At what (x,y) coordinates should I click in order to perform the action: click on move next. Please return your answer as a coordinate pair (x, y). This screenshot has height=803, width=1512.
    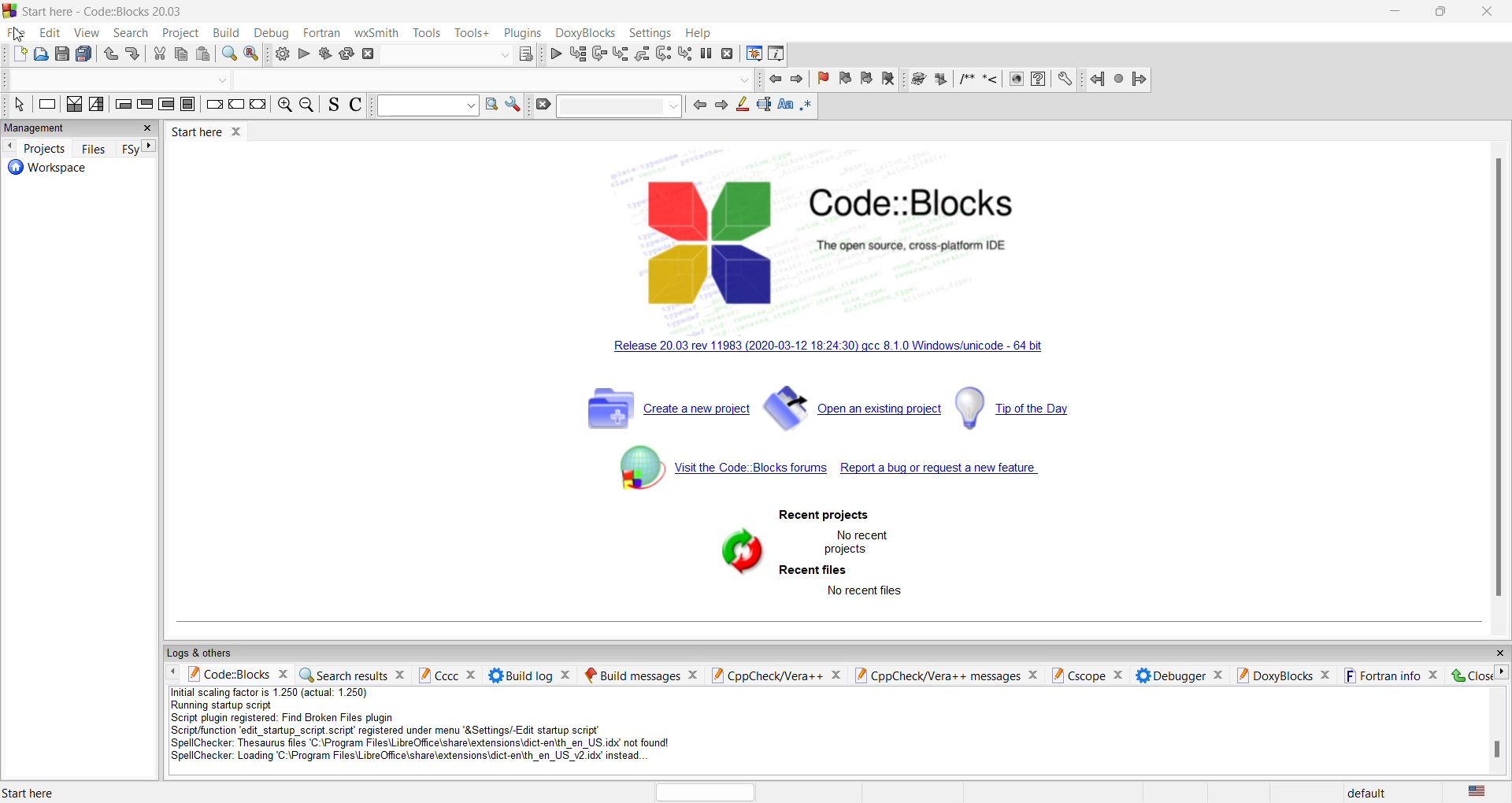
    Looking at the image, I should click on (12, 147).